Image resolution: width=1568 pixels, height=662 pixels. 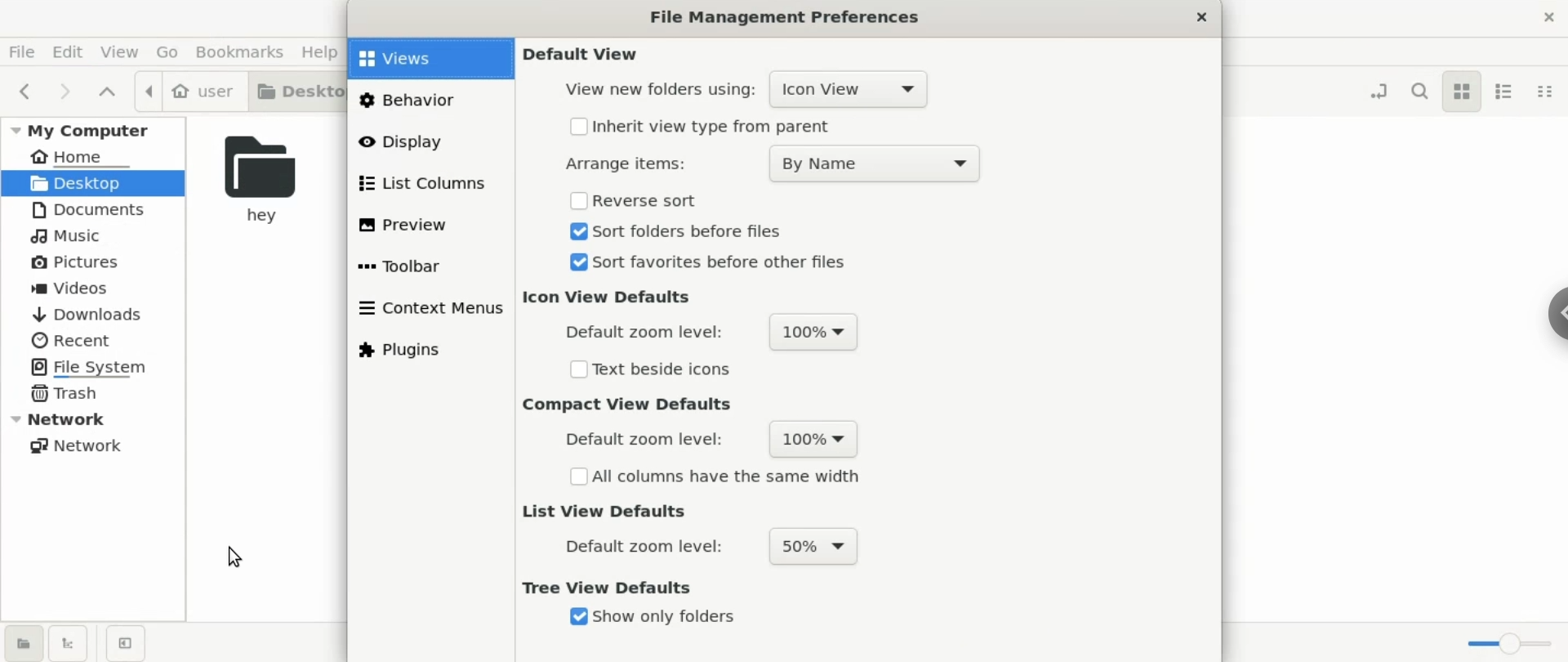 What do you see at coordinates (403, 266) in the screenshot?
I see `toolbar` at bounding box center [403, 266].